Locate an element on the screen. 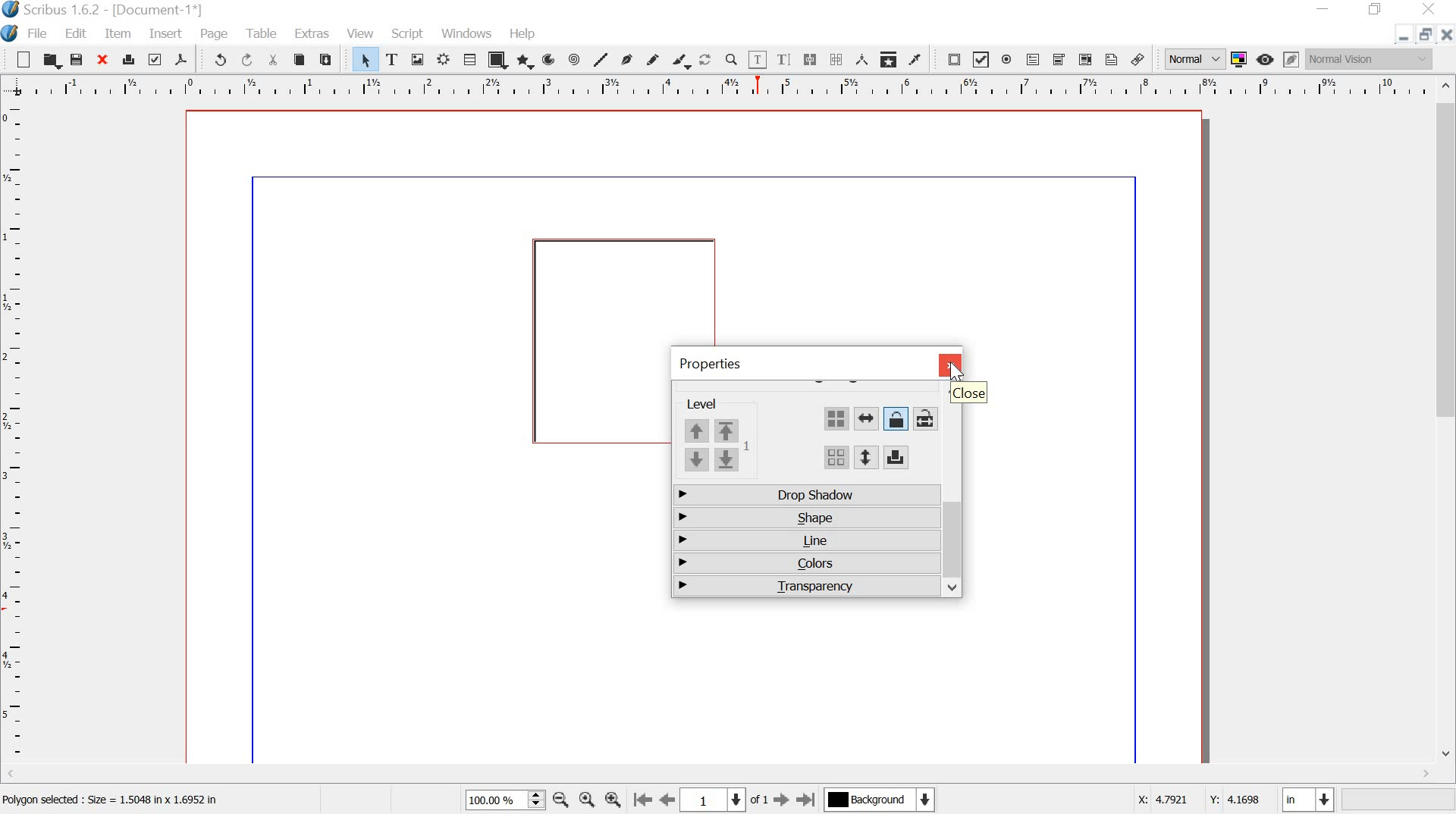 The width and height of the screenshot is (1456, 814). level up is located at coordinates (718, 430).